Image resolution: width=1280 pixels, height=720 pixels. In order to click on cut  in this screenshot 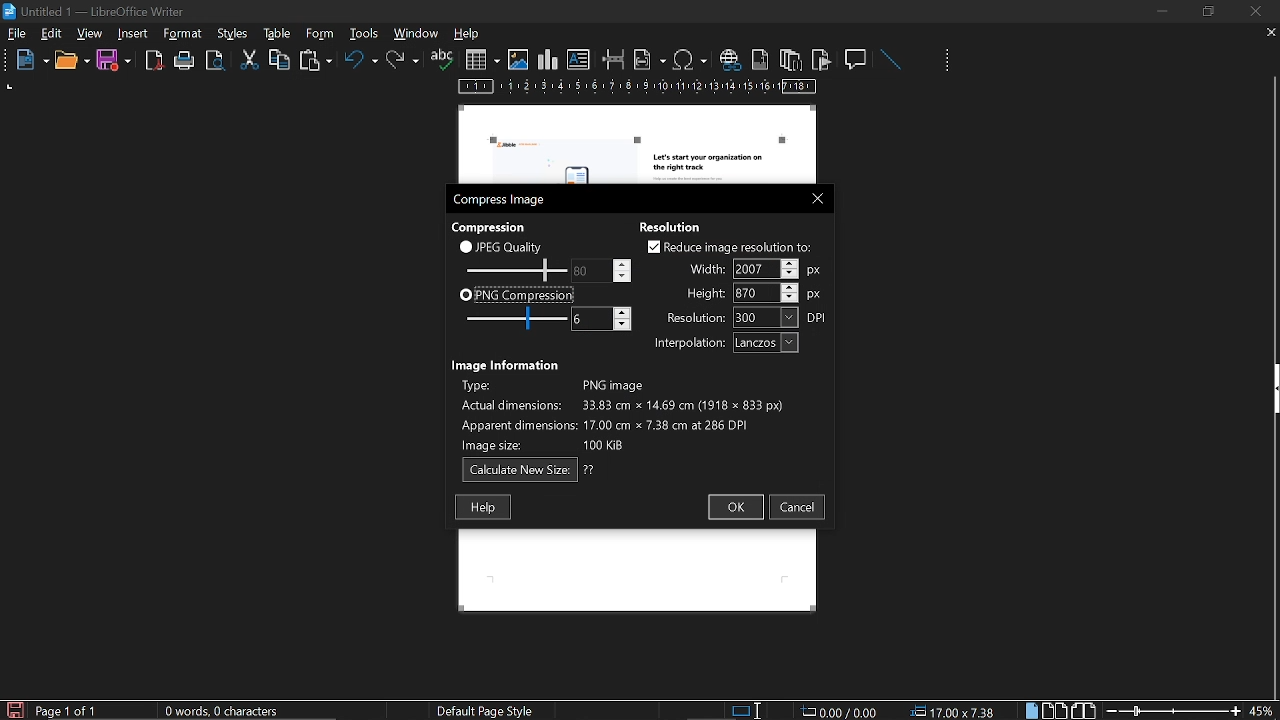, I will do `click(250, 60)`.